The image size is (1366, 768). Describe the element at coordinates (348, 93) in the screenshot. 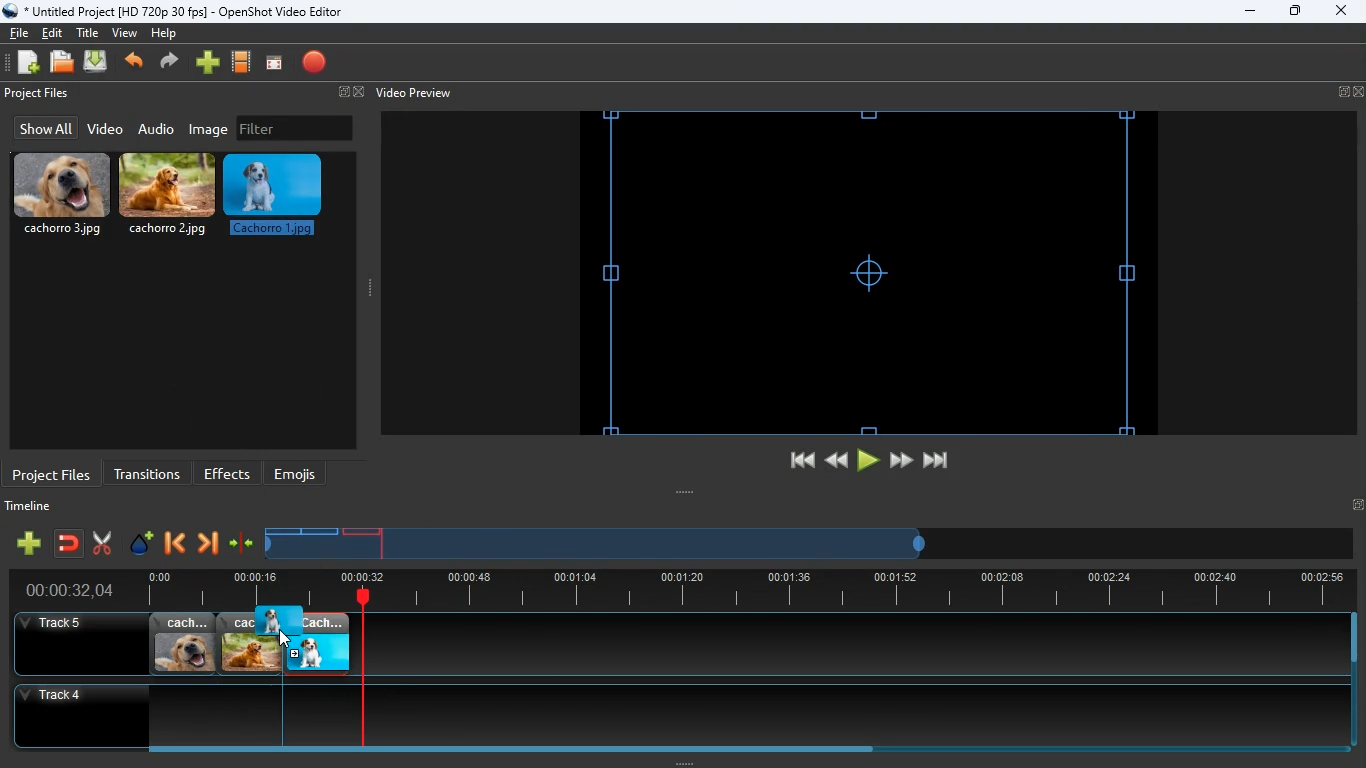

I see `fullscreen` at that location.